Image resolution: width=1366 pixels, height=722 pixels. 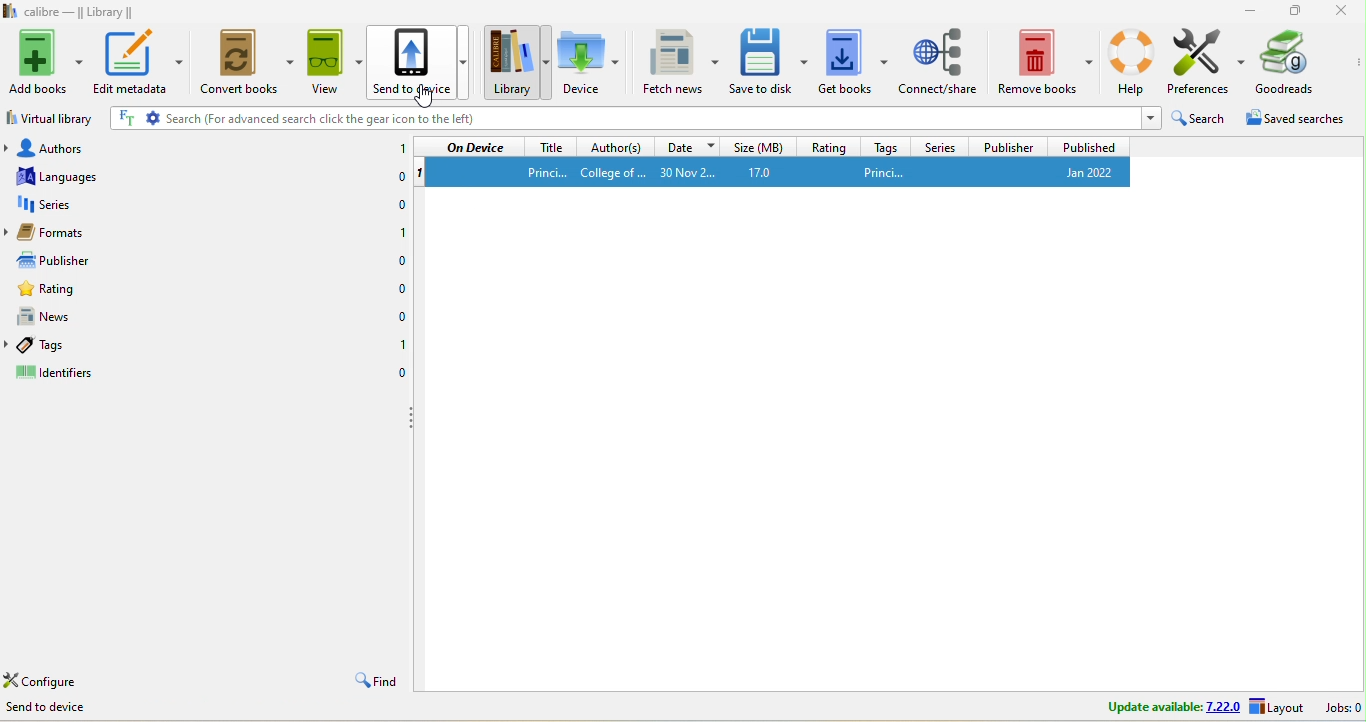 I want to click on send to device, so click(x=418, y=63).